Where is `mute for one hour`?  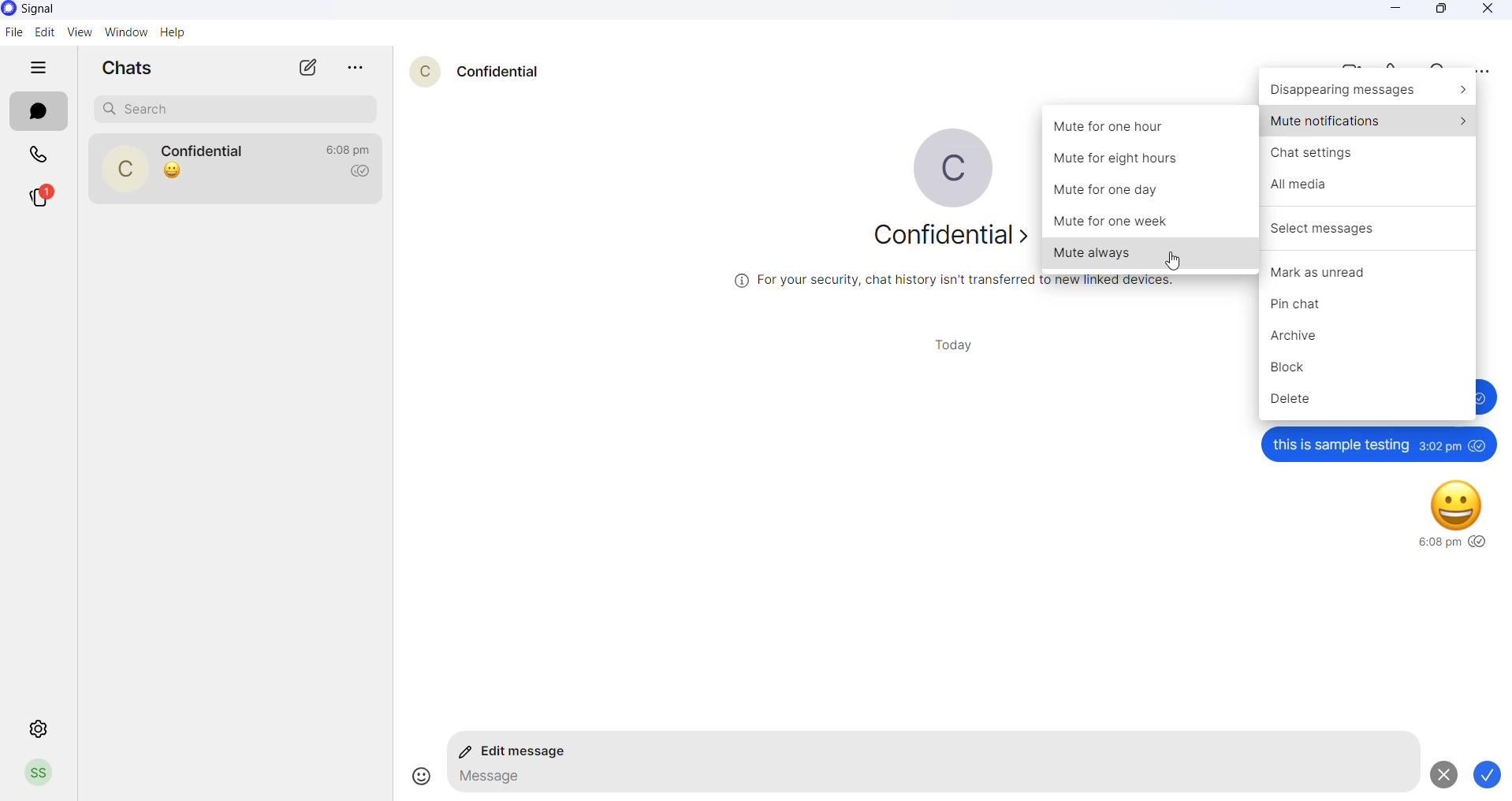
mute for one hour is located at coordinates (1152, 126).